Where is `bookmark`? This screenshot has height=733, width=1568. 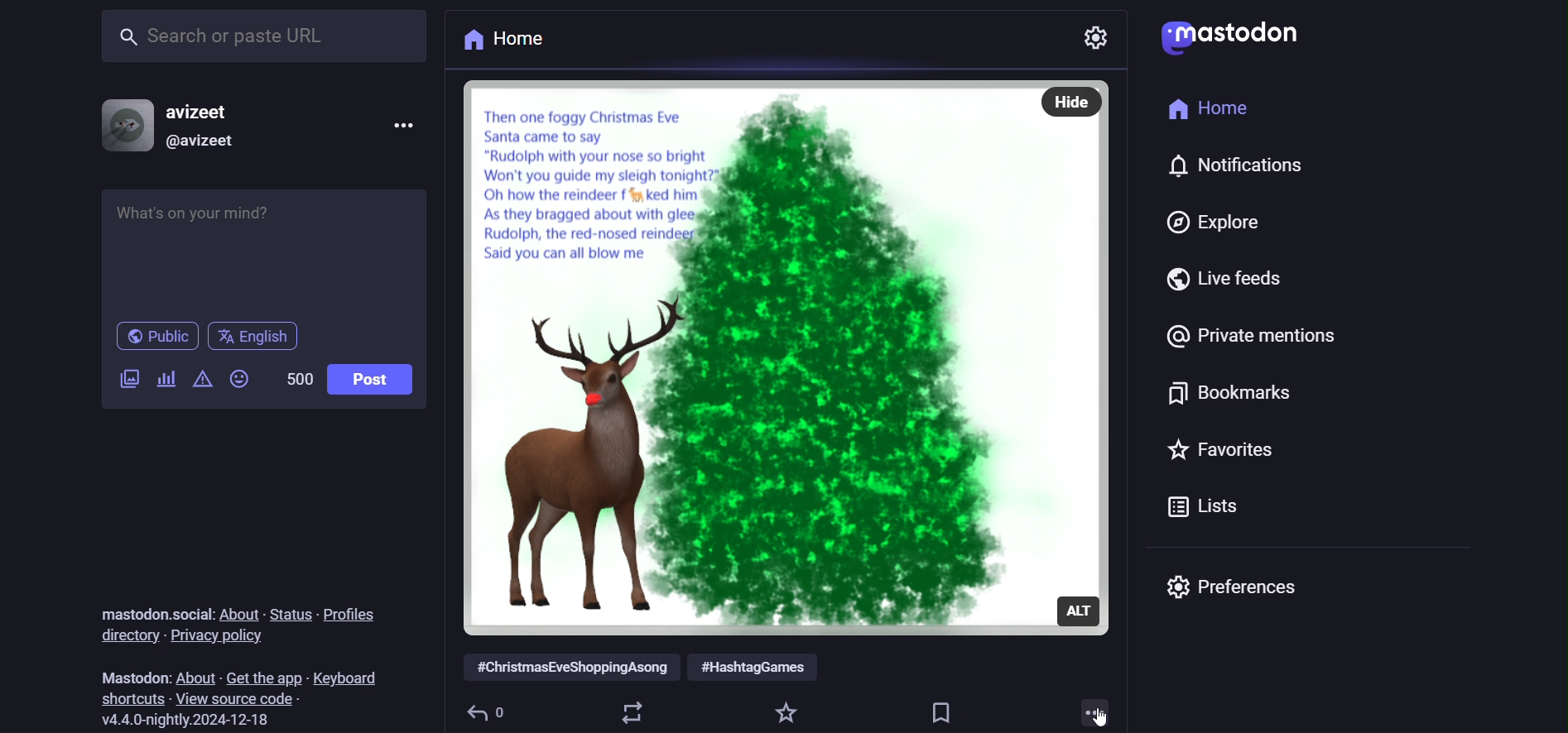
bookmark is located at coordinates (942, 712).